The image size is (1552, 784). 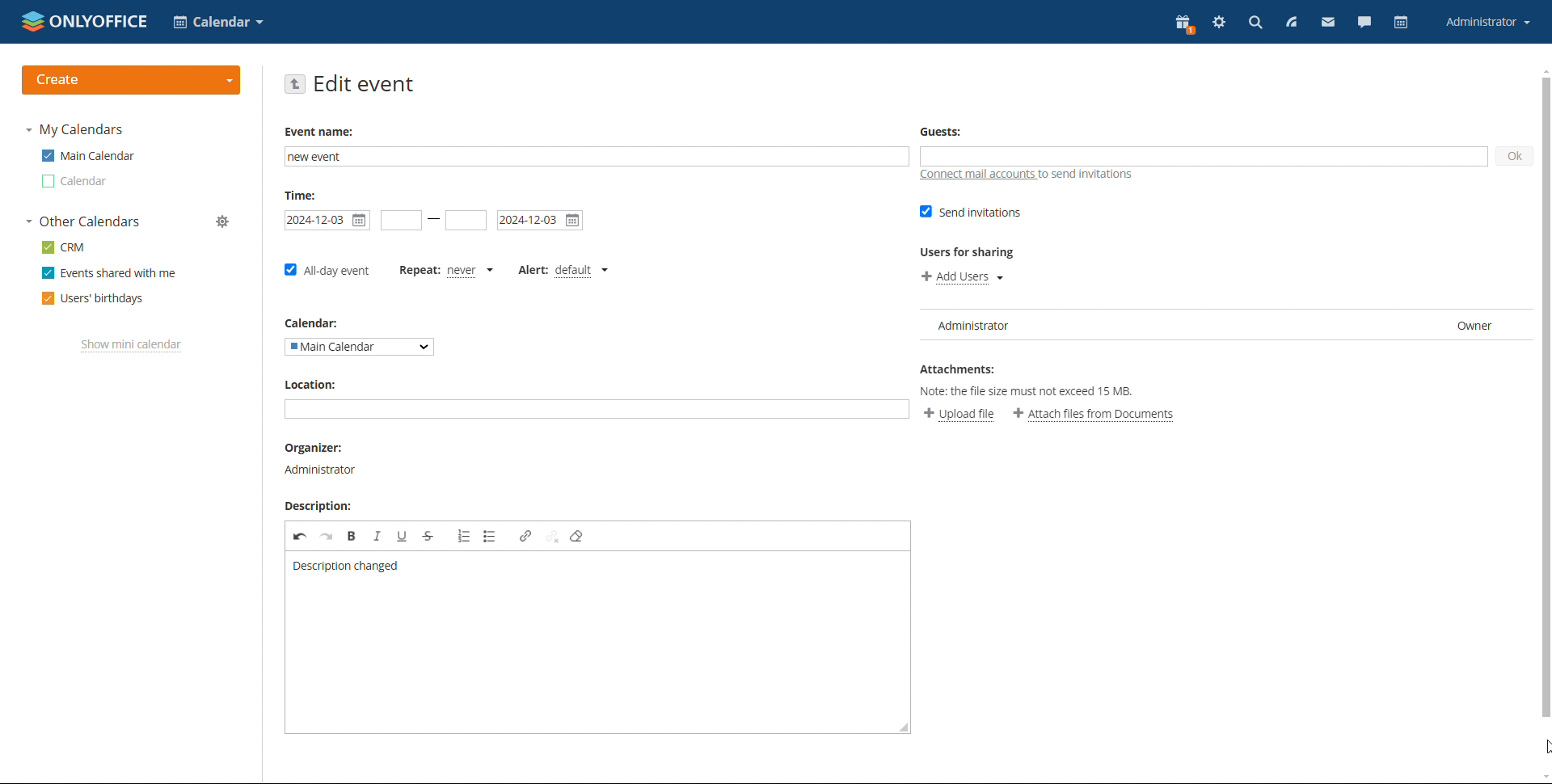 What do you see at coordinates (85, 20) in the screenshot?
I see `logo` at bounding box center [85, 20].